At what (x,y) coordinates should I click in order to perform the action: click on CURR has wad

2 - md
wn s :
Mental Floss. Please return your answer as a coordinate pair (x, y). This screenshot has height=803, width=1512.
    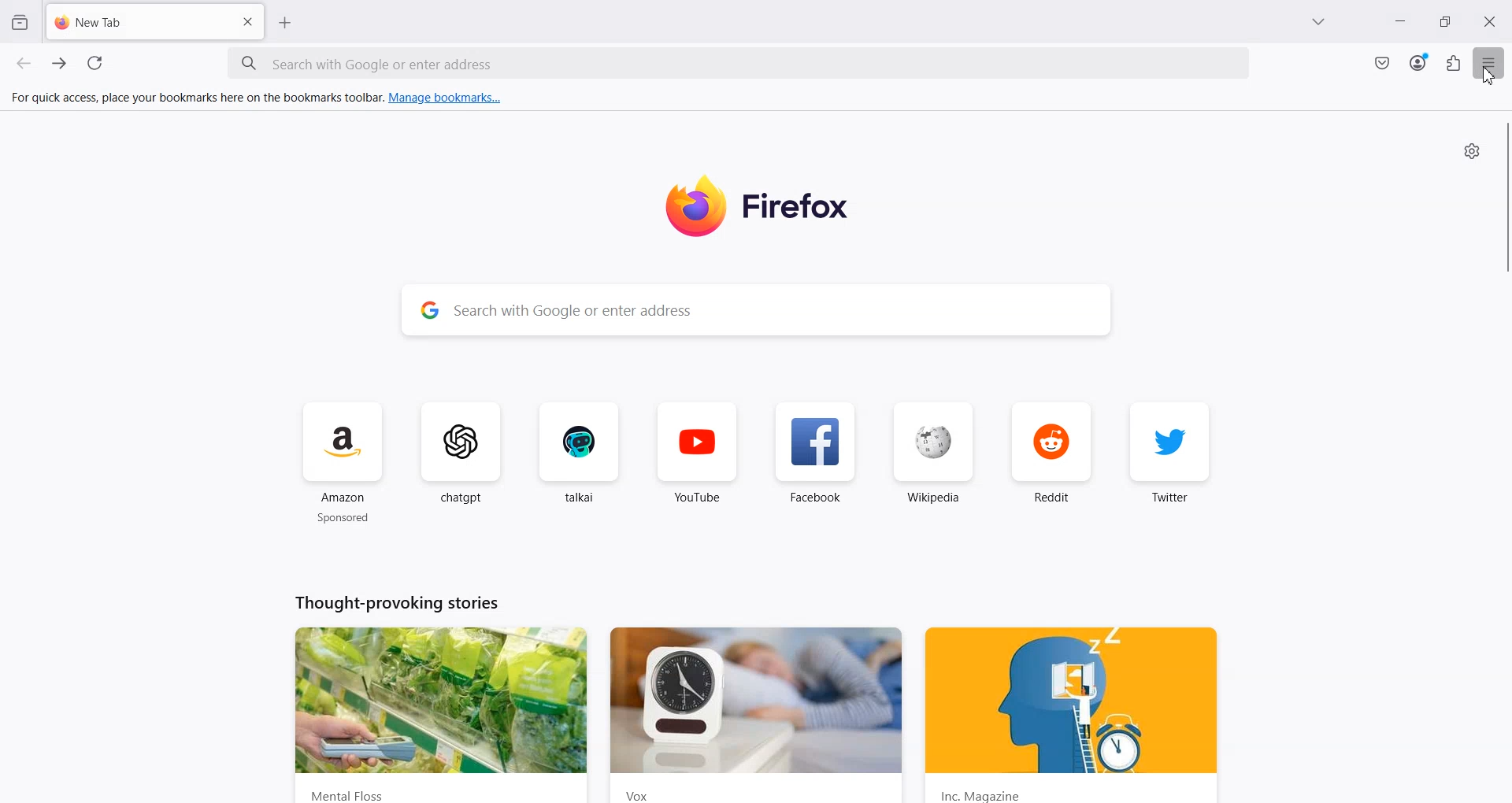
    Looking at the image, I should click on (439, 714).